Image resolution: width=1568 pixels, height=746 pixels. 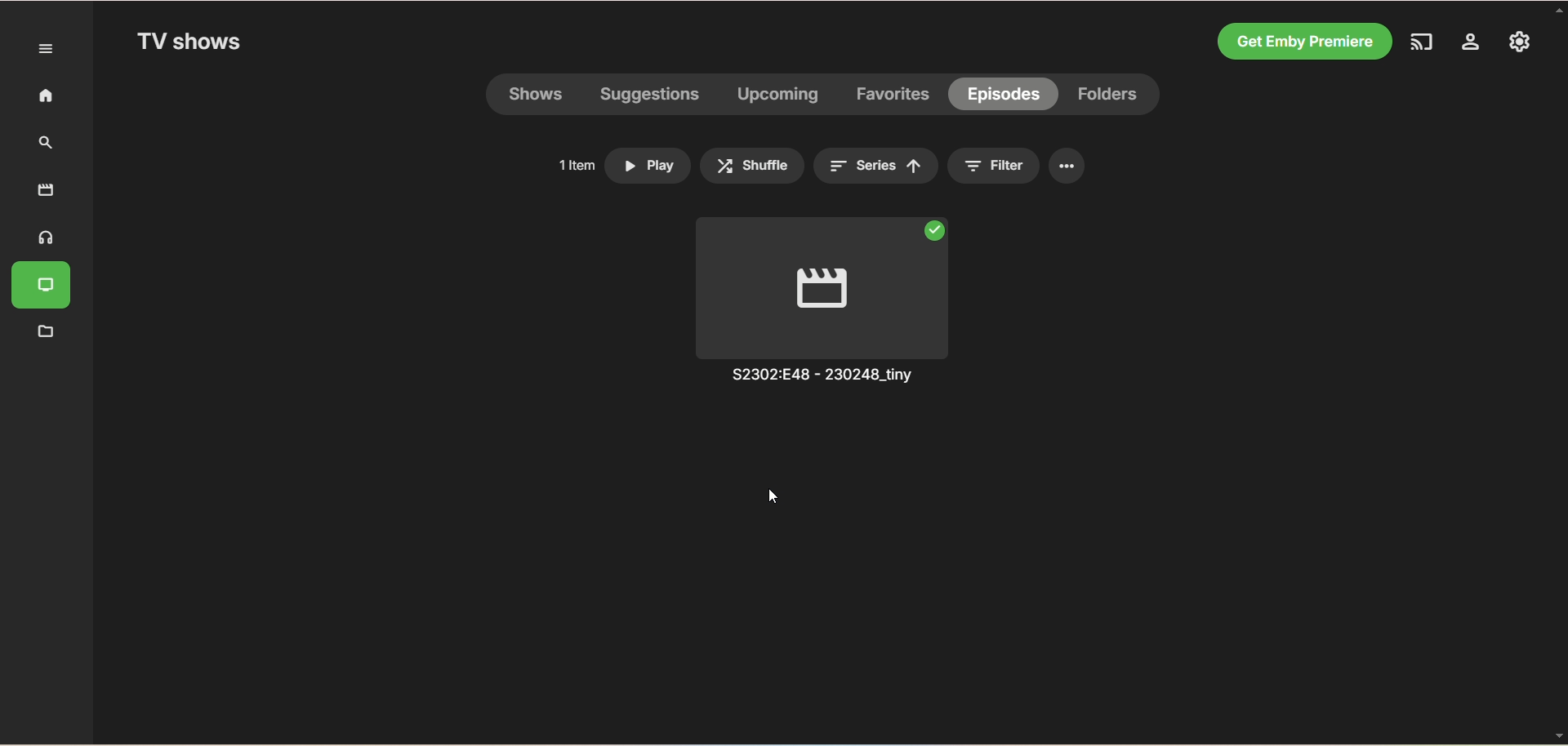 What do you see at coordinates (38, 96) in the screenshot?
I see `home` at bounding box center [38, 96].